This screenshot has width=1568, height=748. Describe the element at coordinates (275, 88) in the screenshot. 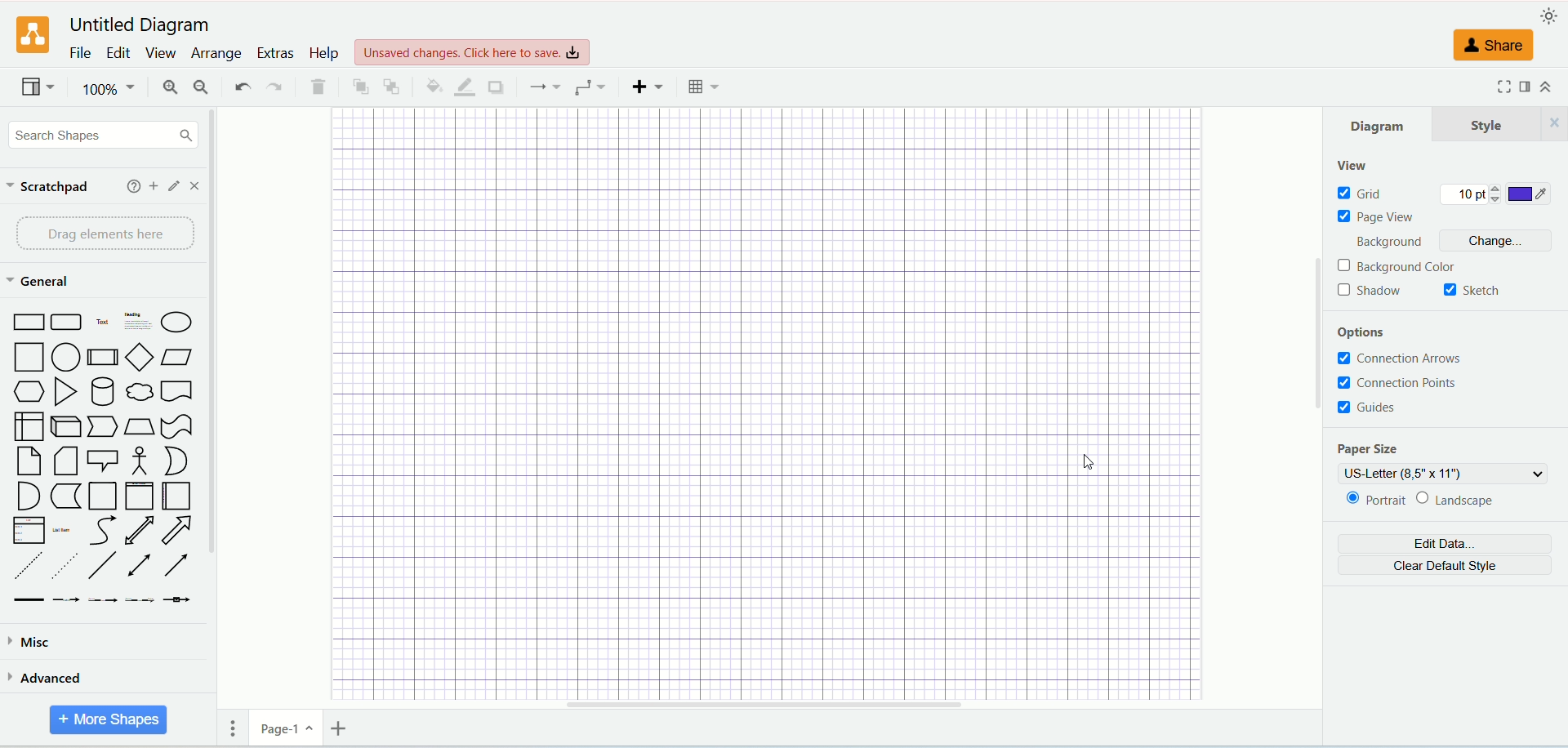

I see `redo` at that location.